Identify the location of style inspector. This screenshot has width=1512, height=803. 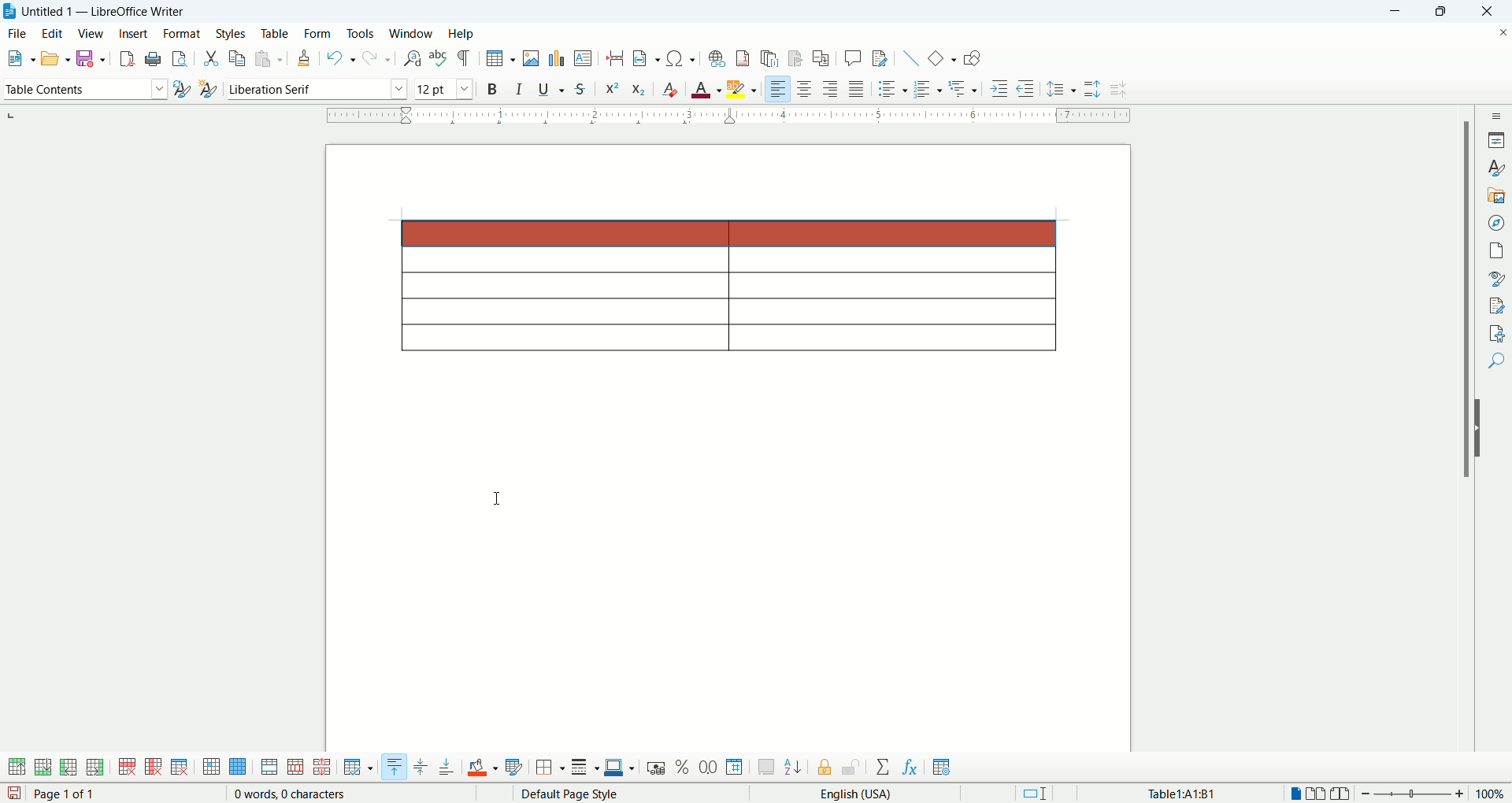
(1496, 278).